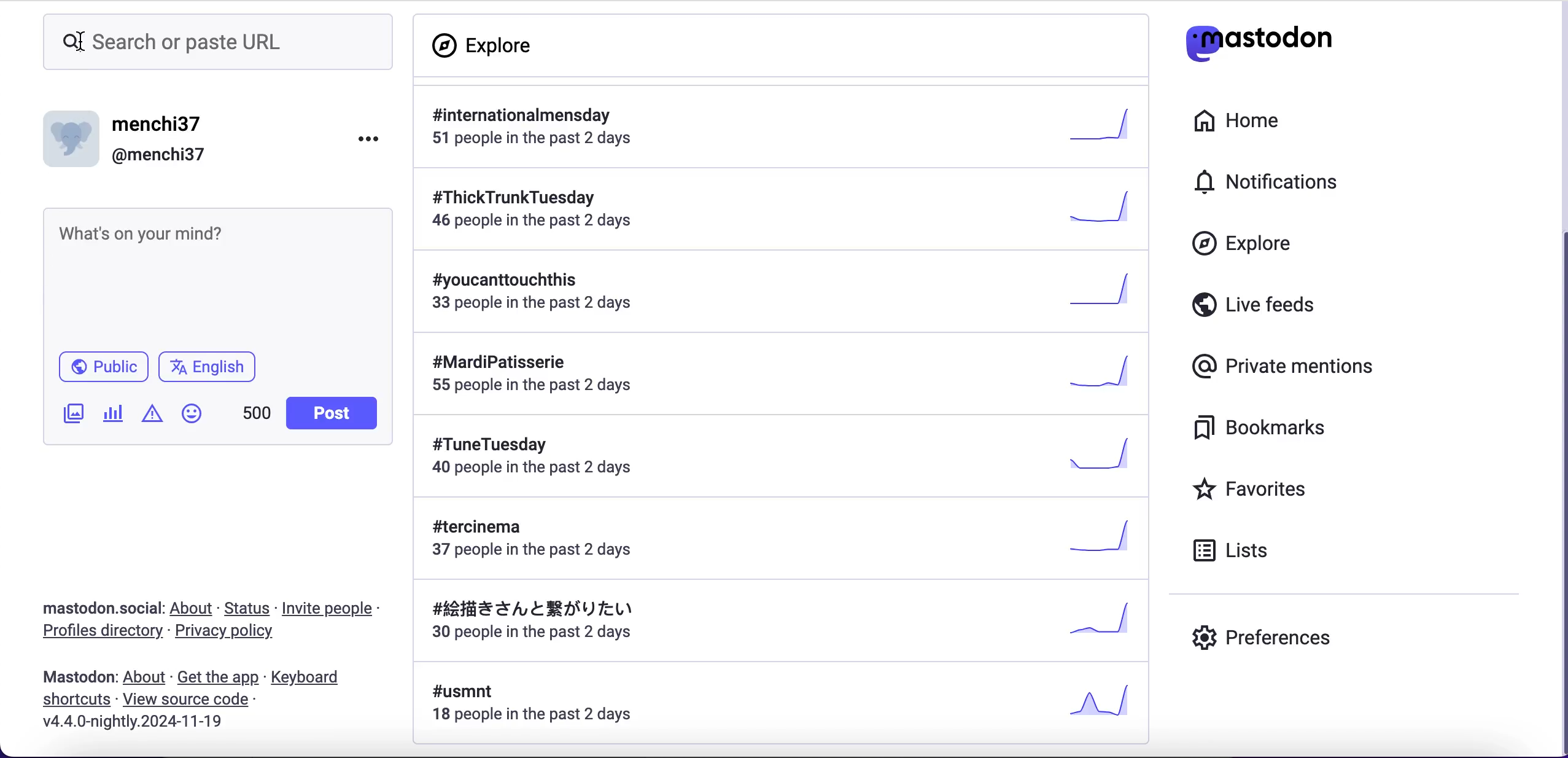 The image size is (1568, 758). What do you see at coordinates (785, 213) in the screenshot?
I see `#ThickTrunkTuesday` at bounding box center [785, 213].